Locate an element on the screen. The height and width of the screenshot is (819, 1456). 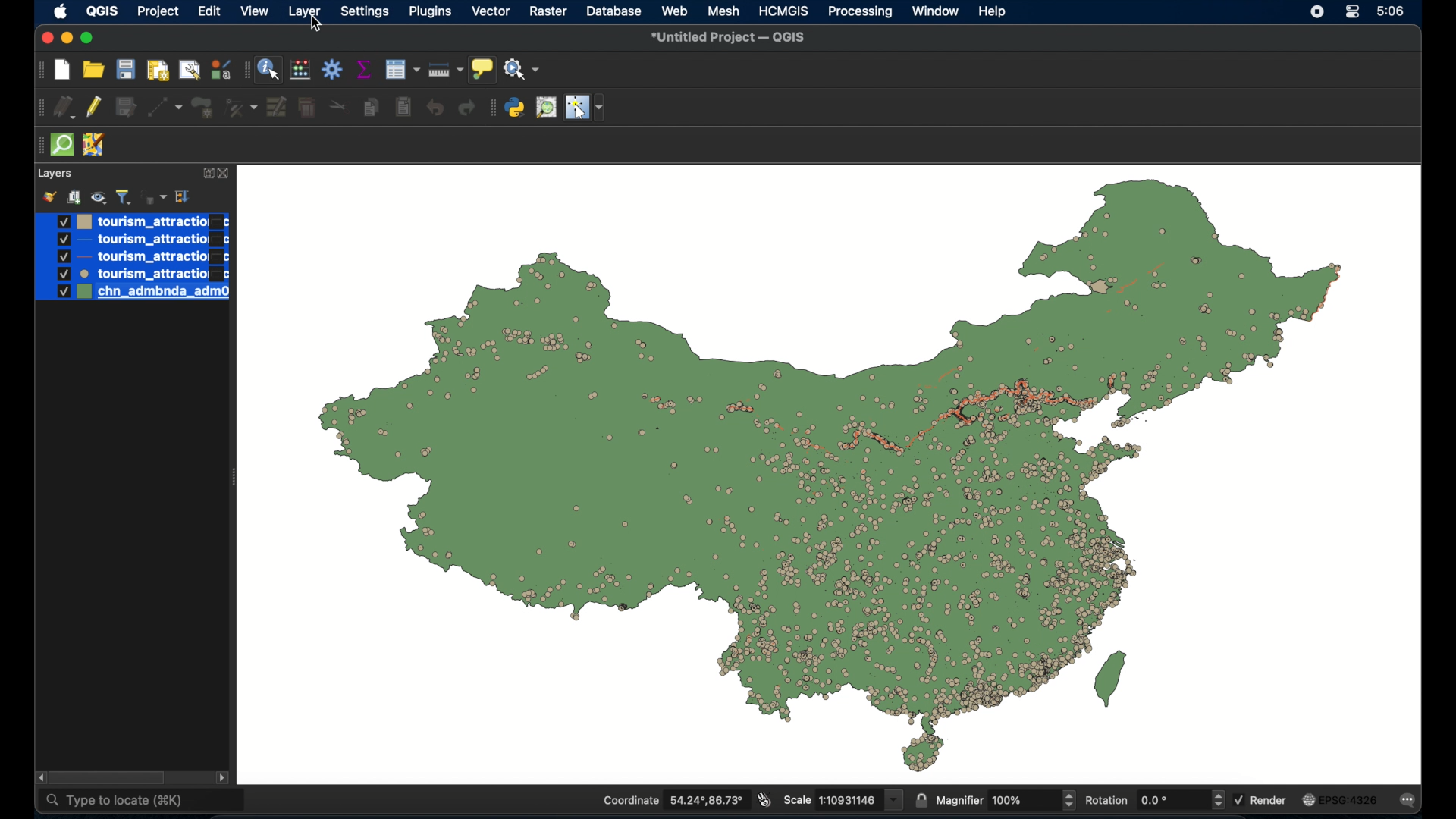
open layout manager is located at coordinates (190, 70).